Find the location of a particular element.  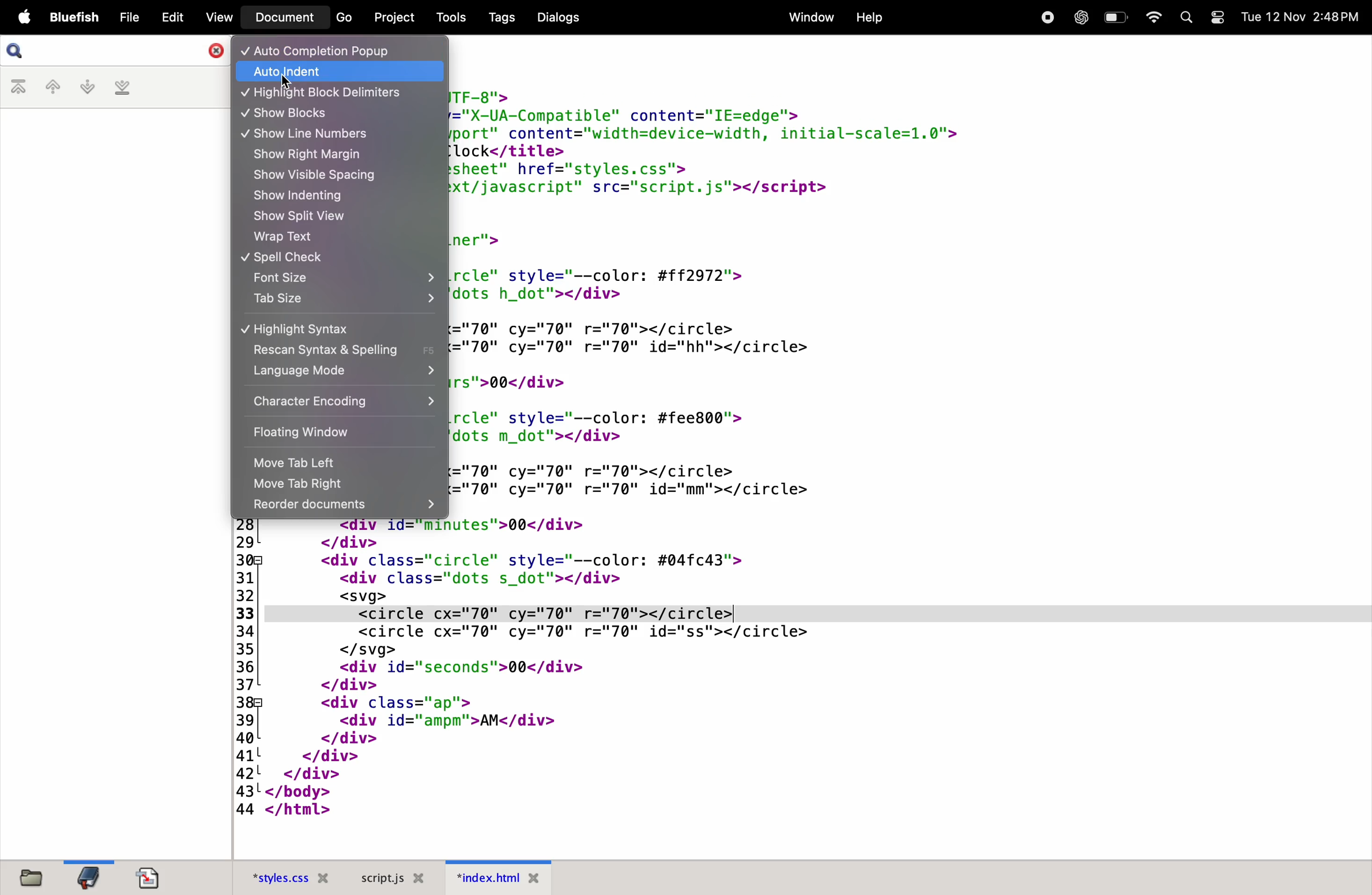

previous bookmark is located at coordinates (55, 86).